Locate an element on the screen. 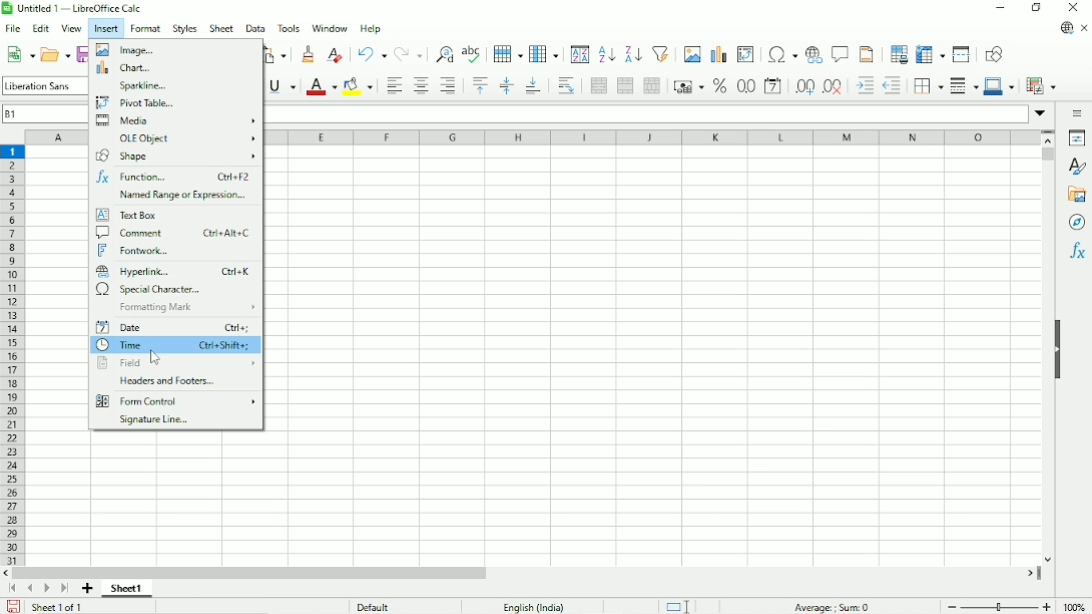  Formatting mark is located at coordinates (190, 308).